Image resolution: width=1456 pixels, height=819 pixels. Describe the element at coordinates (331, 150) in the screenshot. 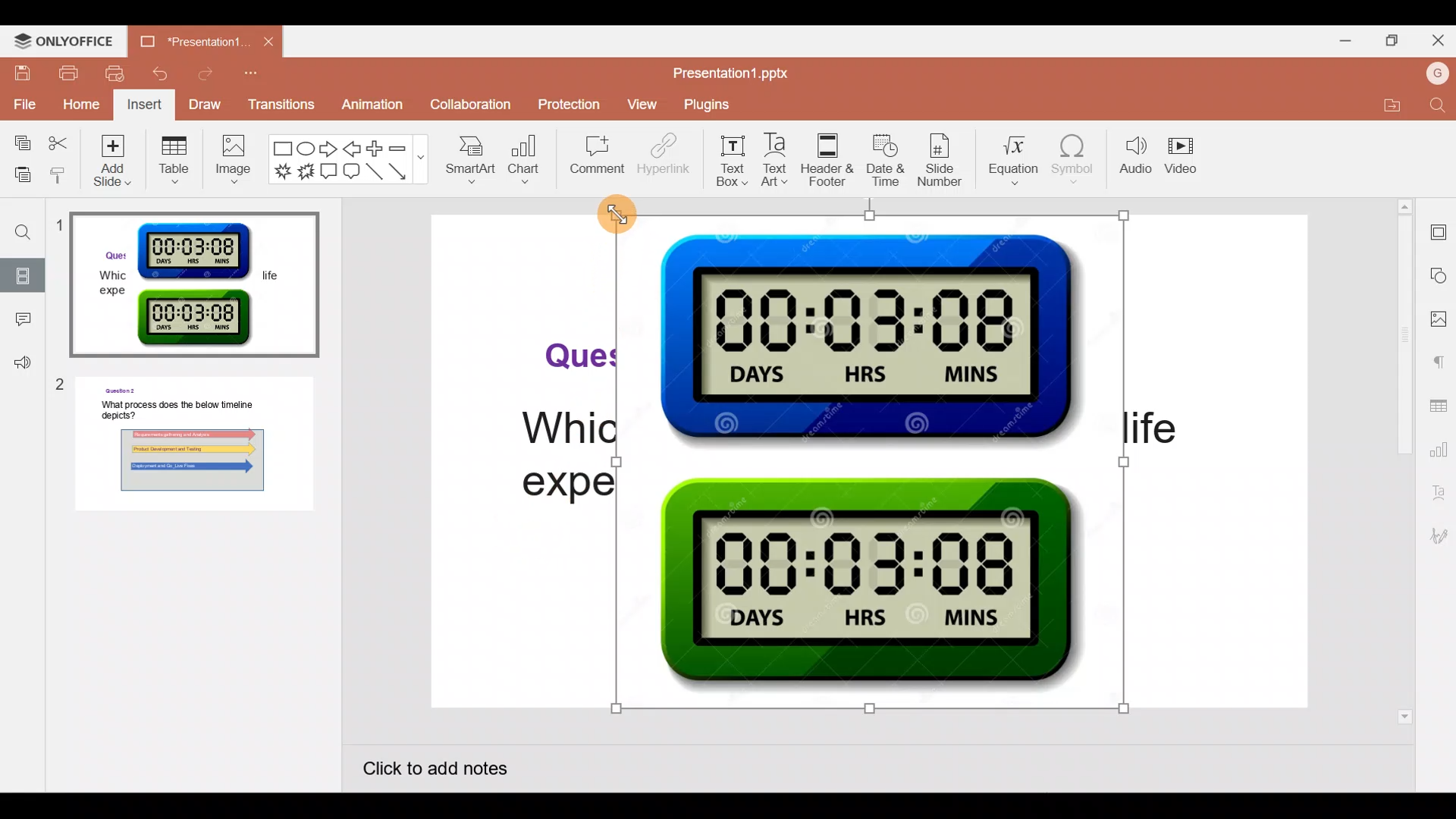

I see `Right arrow` at that location.